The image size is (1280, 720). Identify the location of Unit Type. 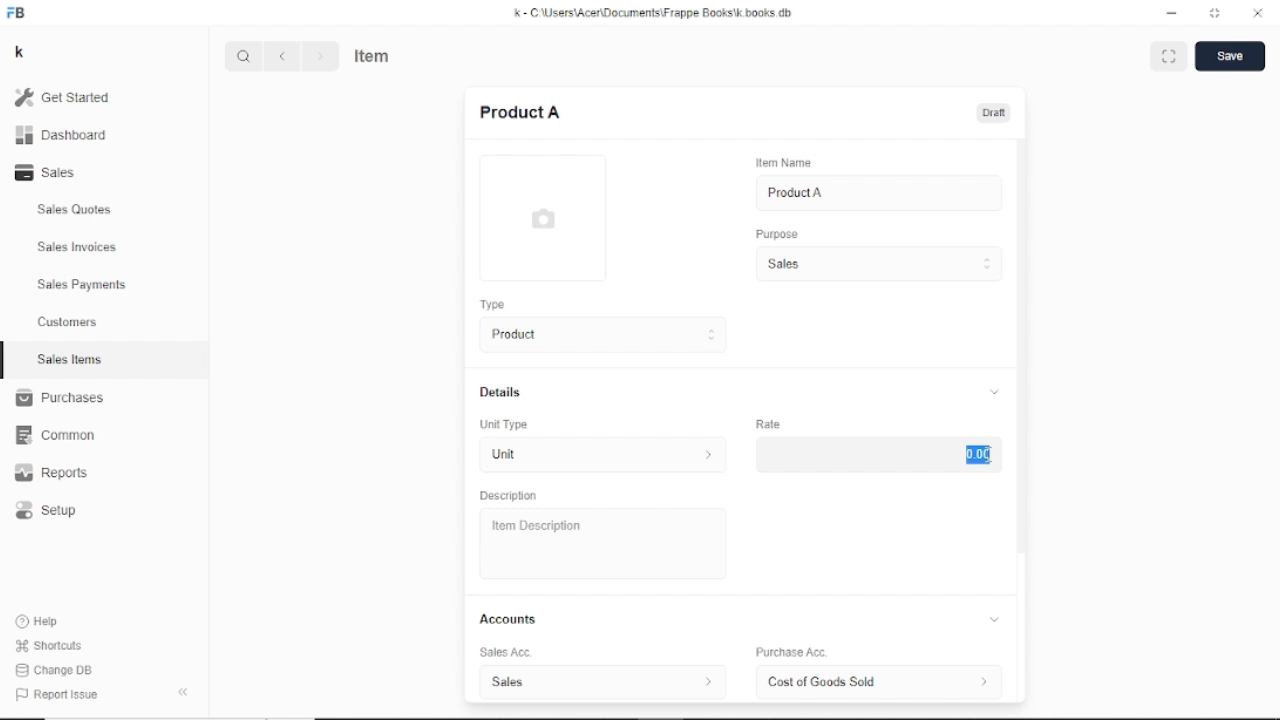
(505, 425).